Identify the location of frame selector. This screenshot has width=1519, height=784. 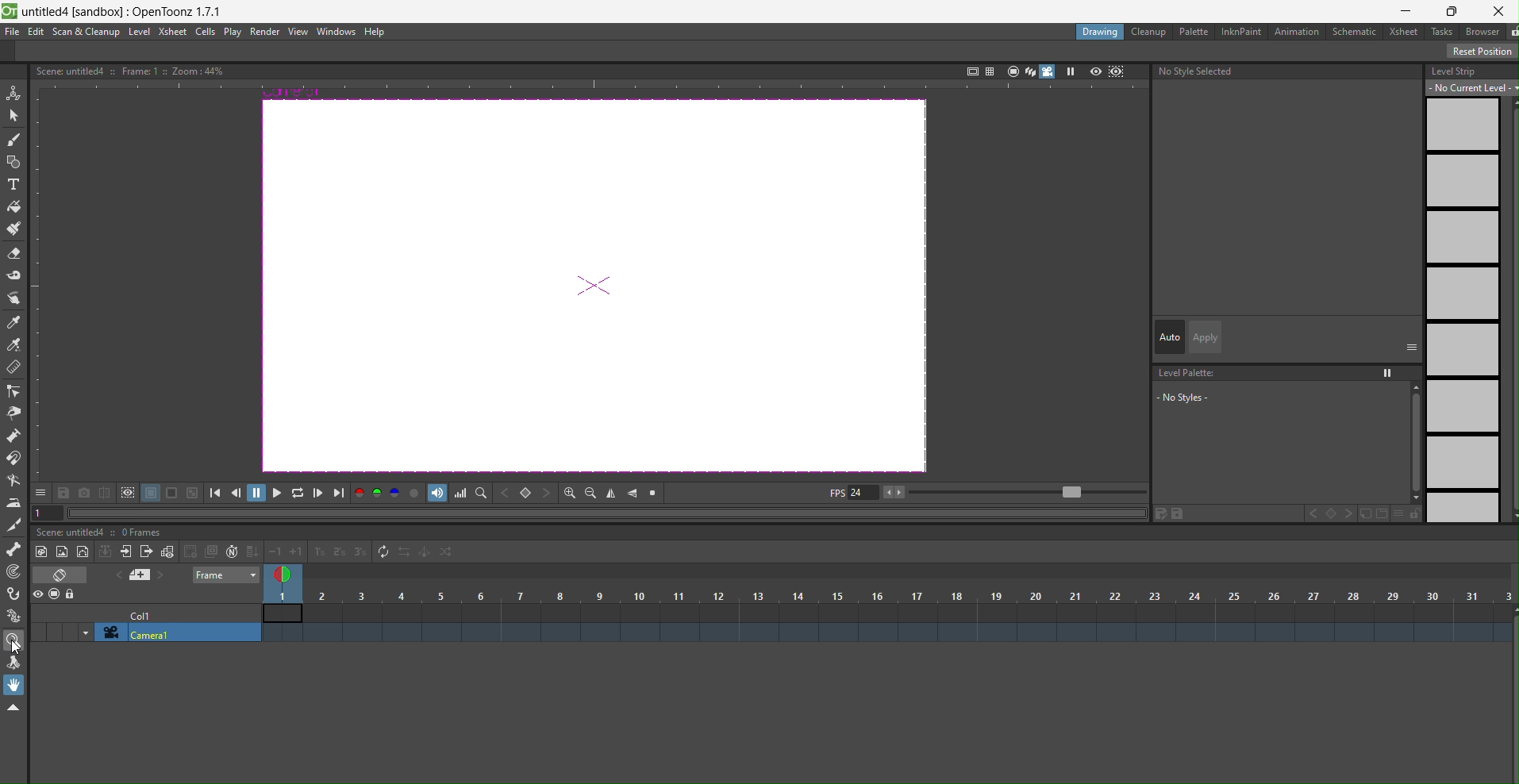
(285, 575).